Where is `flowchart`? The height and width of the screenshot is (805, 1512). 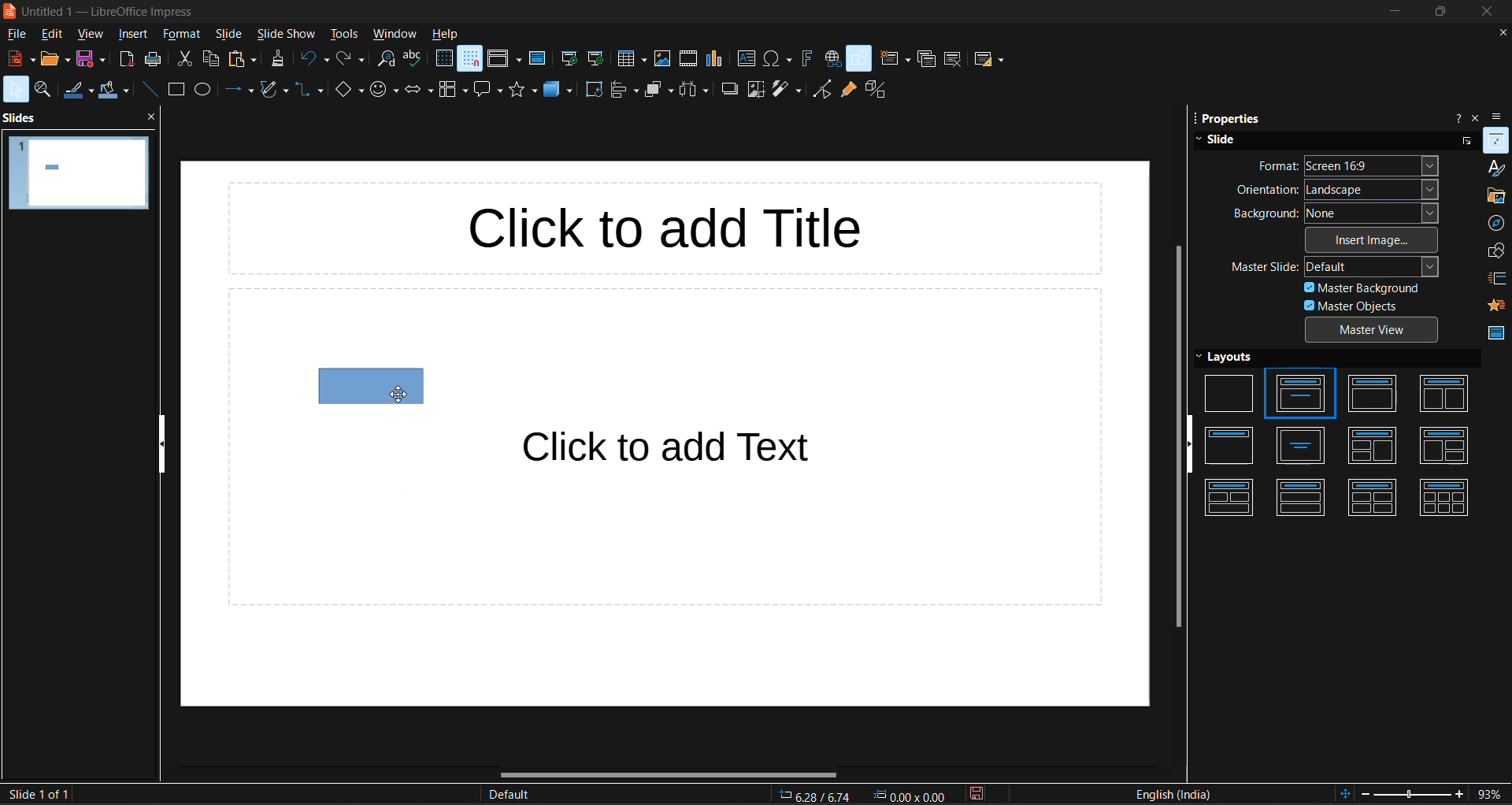
flowchart is located at coordinates (453, 91).